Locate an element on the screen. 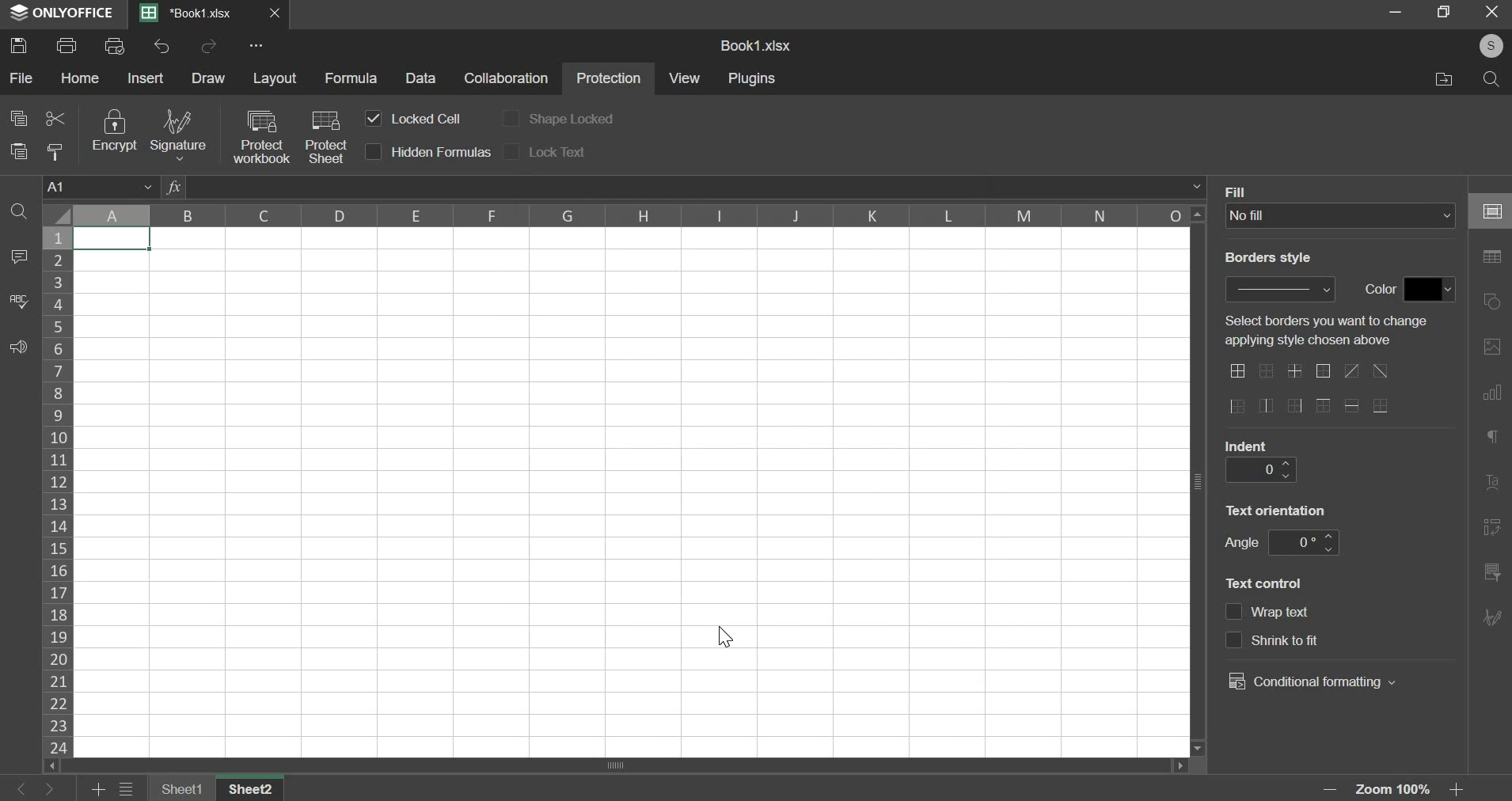 Image resolution: width=1512 pixels, height=801 pixels. hidden formulas is located at coordinates (442, 152).